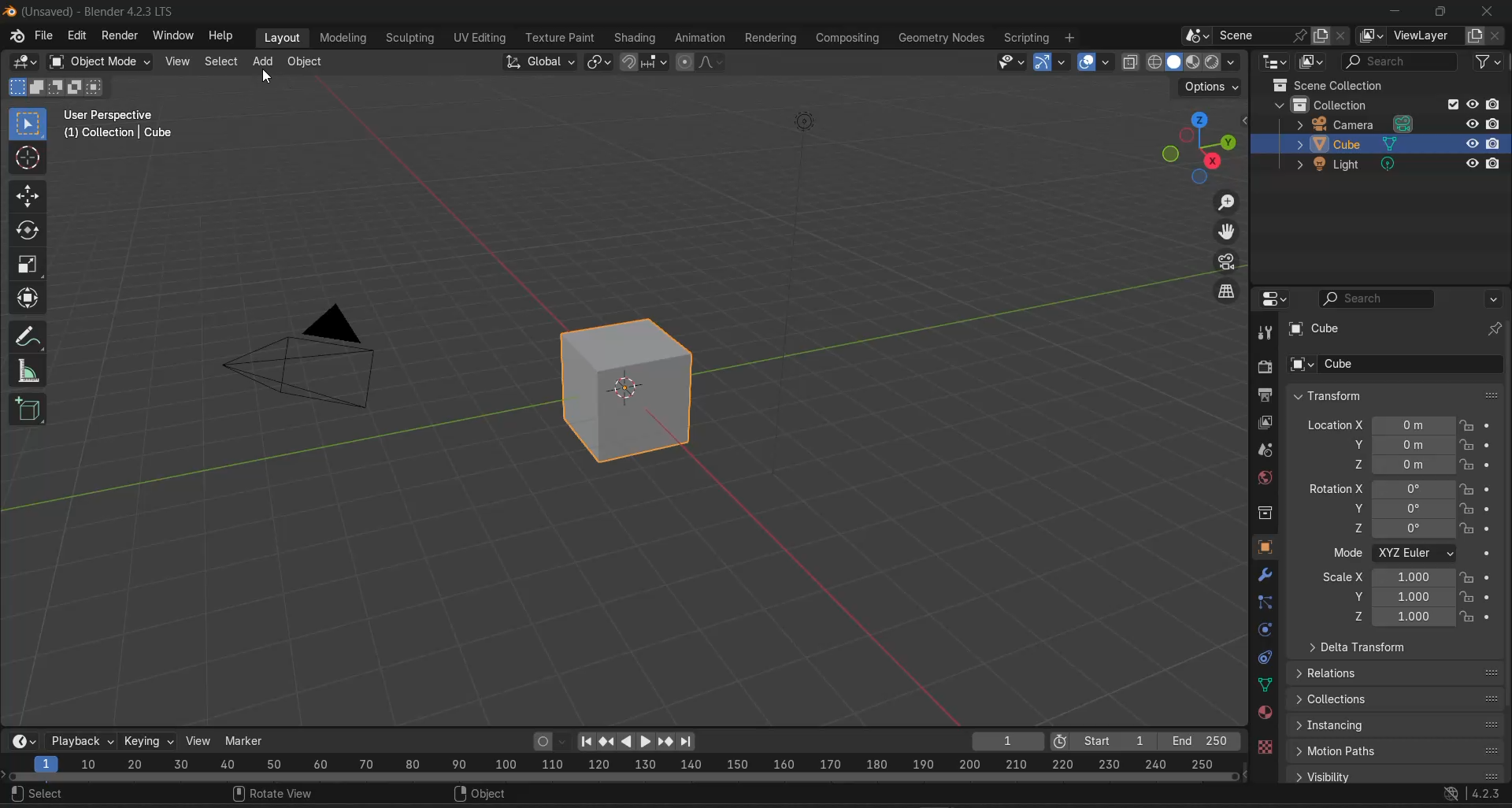  Describe the element at coordinates (178, 61) in the screenshot. I see `view` at that location.